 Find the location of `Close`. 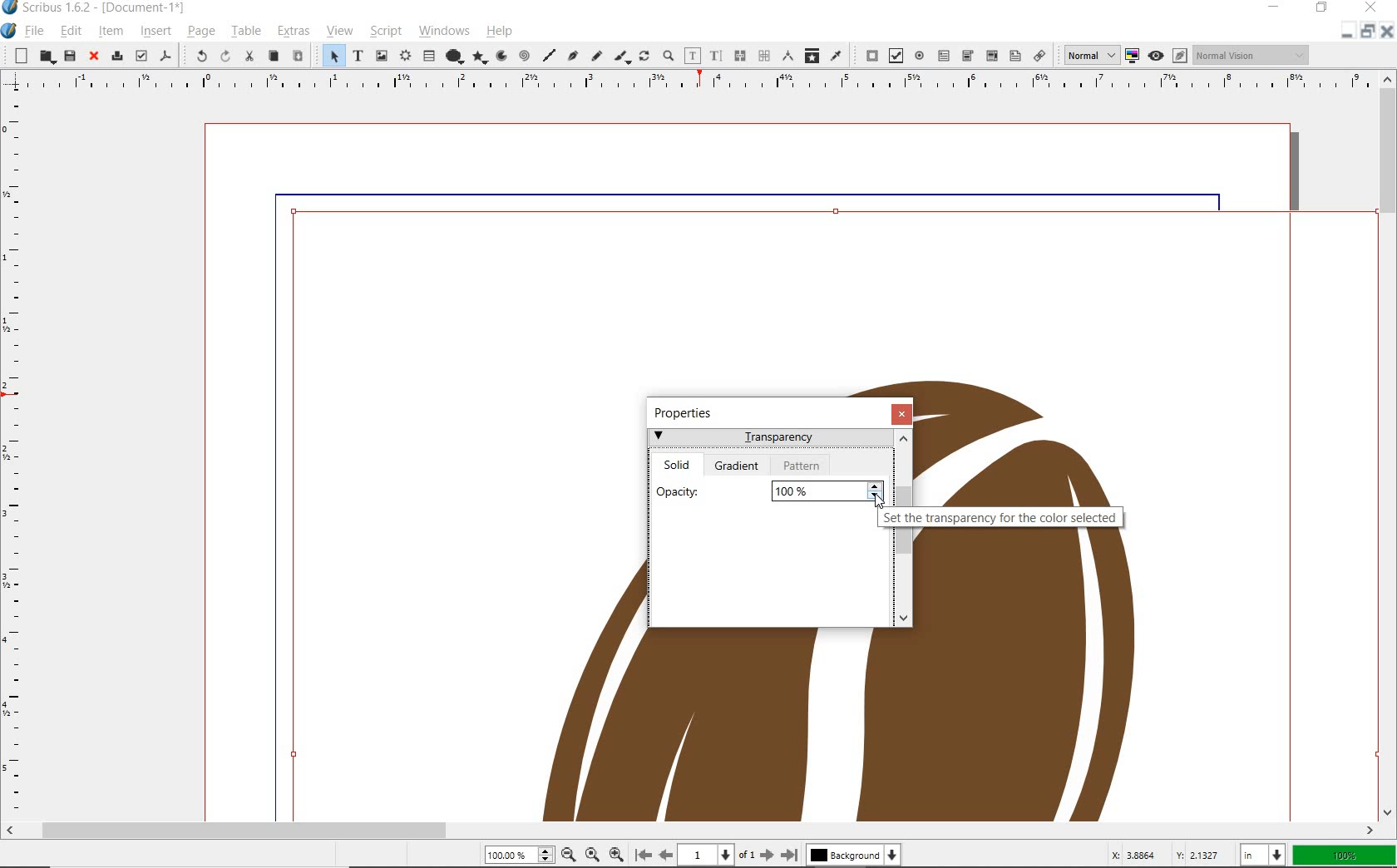

Close is located at coordinates (1389, 31).